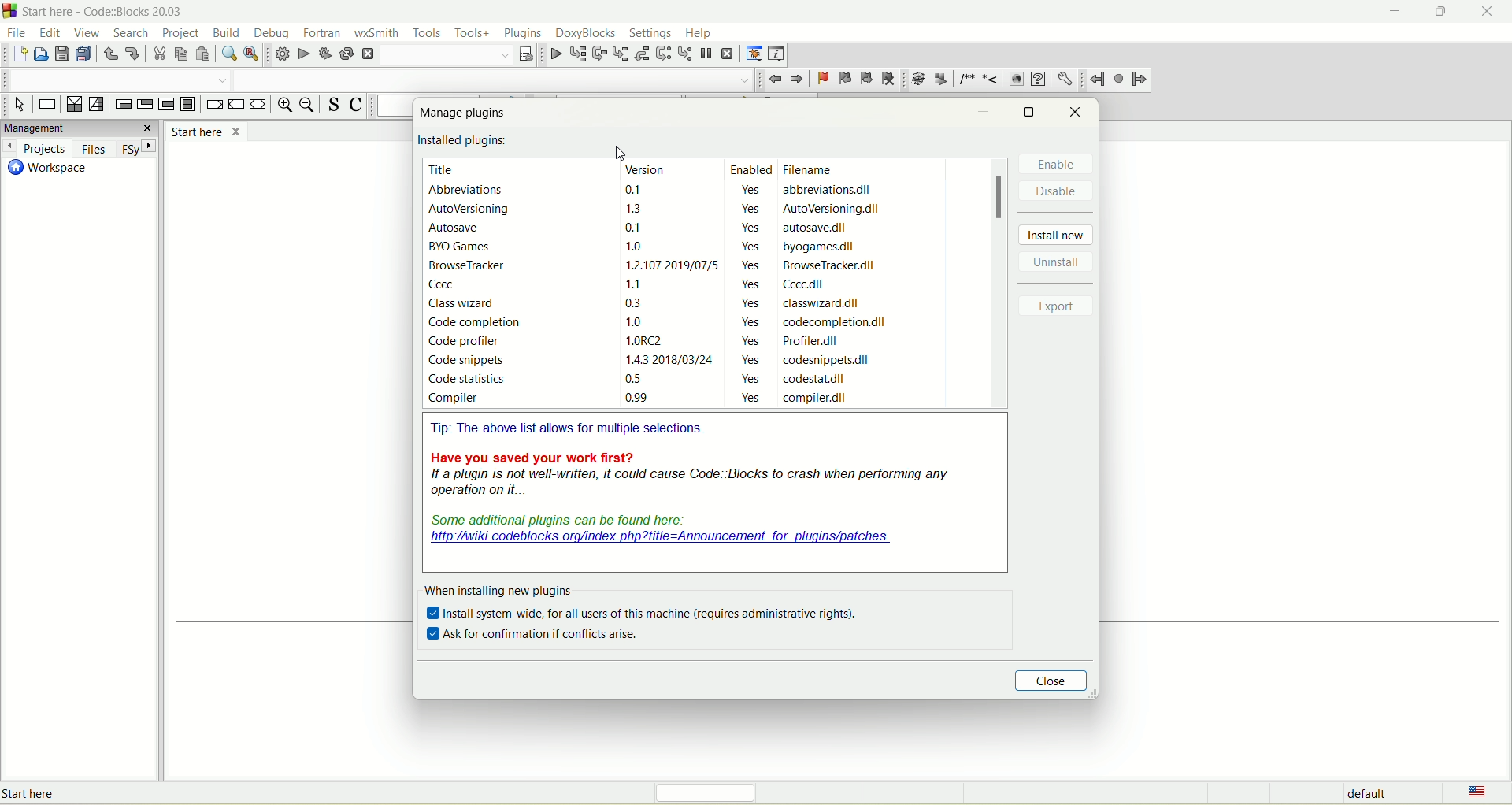 This screenshot has height=805, width=1512. Describe the element at coordinates (573, 428) in the screenshot. I see `tip` at that location.